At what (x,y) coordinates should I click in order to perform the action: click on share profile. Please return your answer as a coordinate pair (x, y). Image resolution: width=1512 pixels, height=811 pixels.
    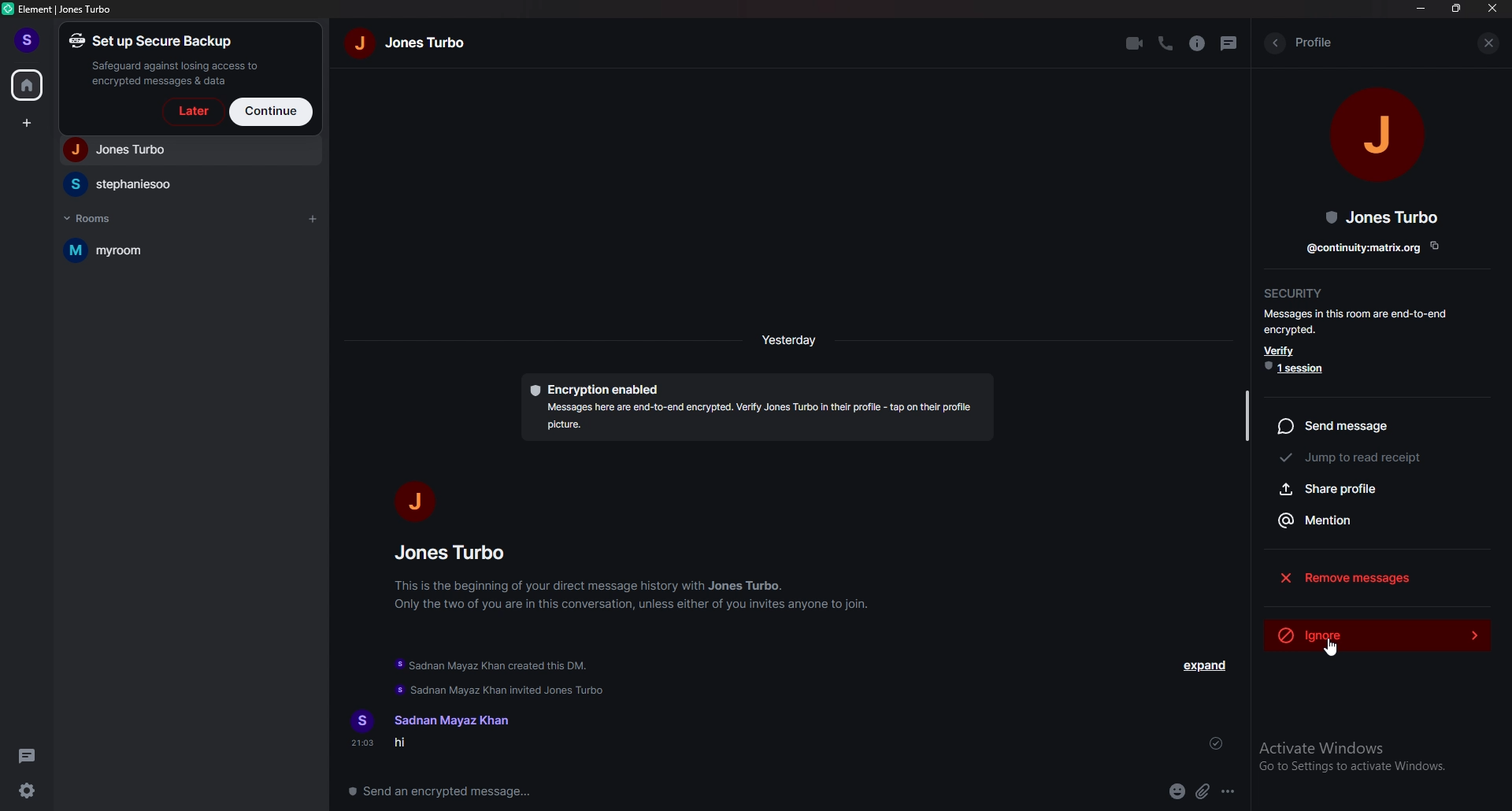
    Looking at the image, I should click on (1373, 488).